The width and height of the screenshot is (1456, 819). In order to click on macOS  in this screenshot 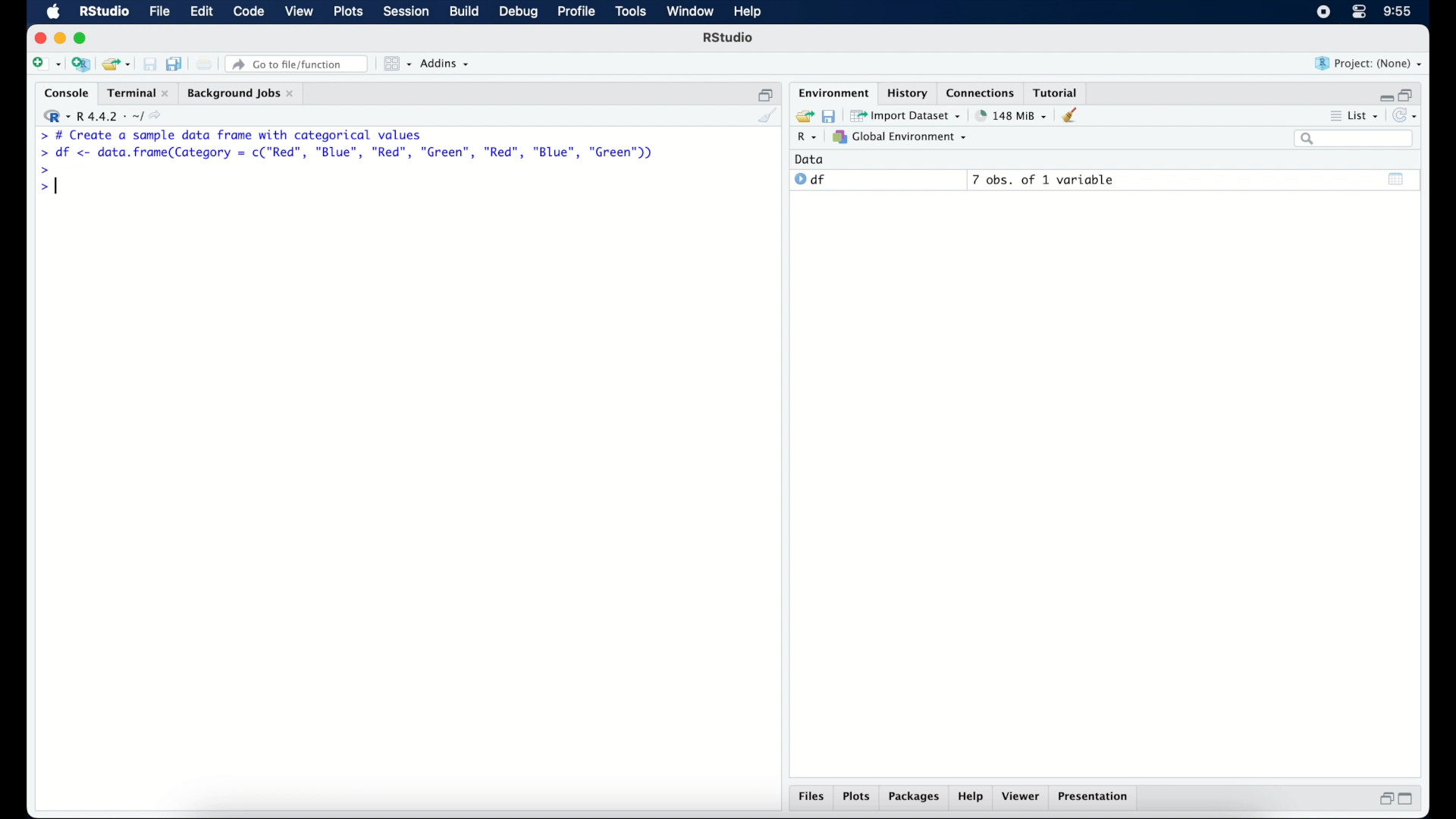, I will do `click(53, 12)`.